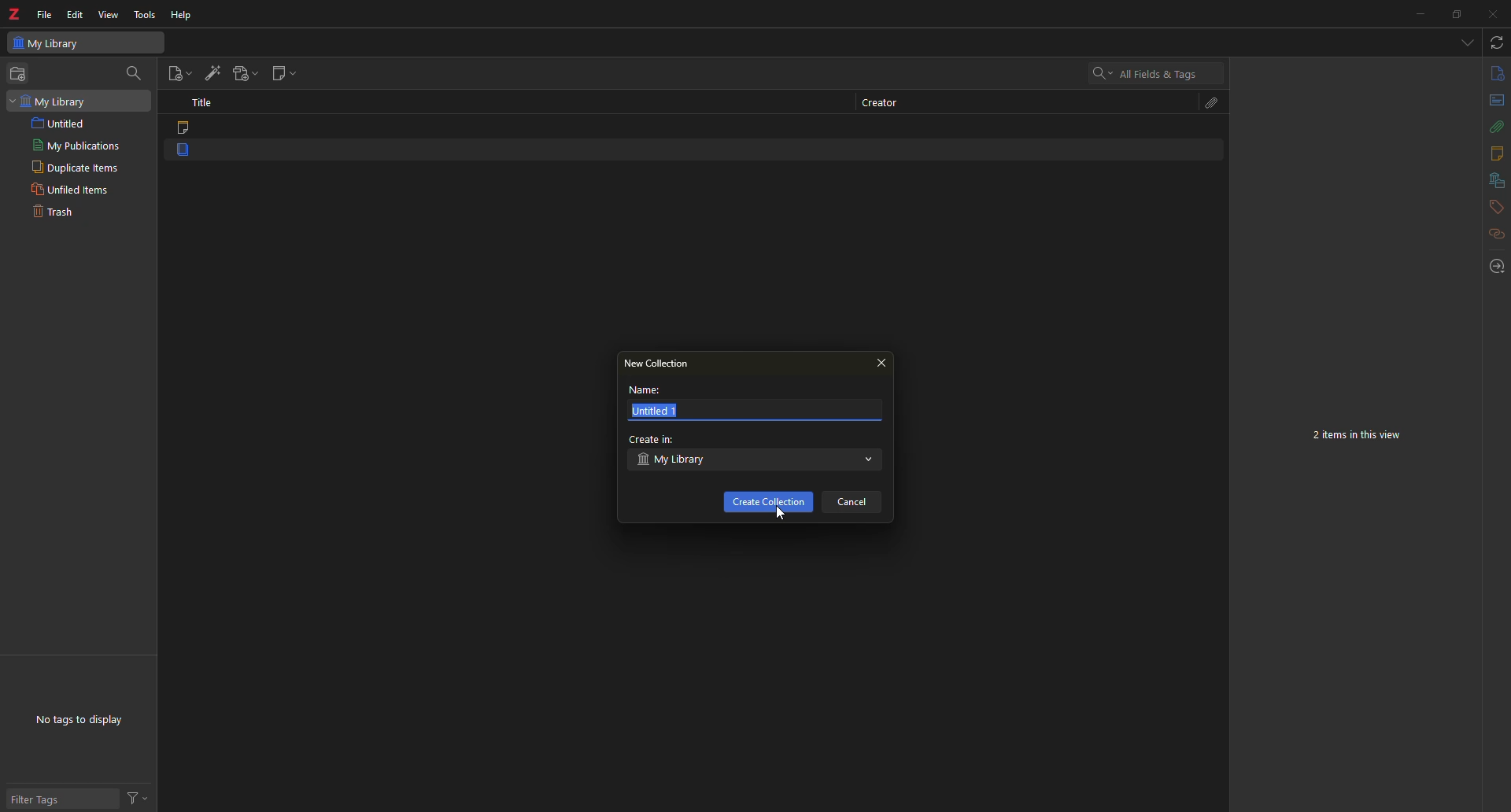  I want to click on close, so click(883, 364).